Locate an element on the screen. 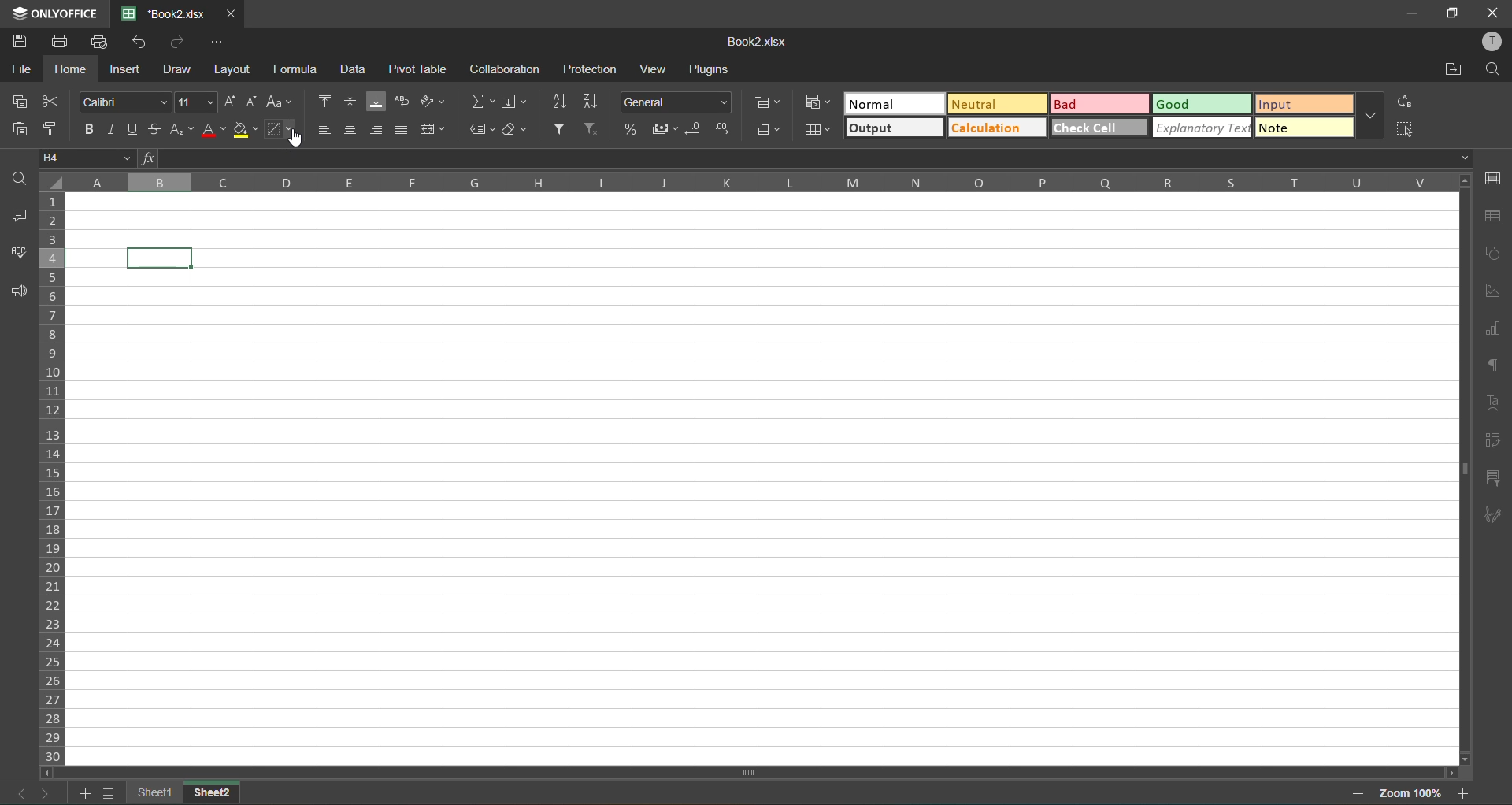  zoom factor is located at coordinates (1412, 791).